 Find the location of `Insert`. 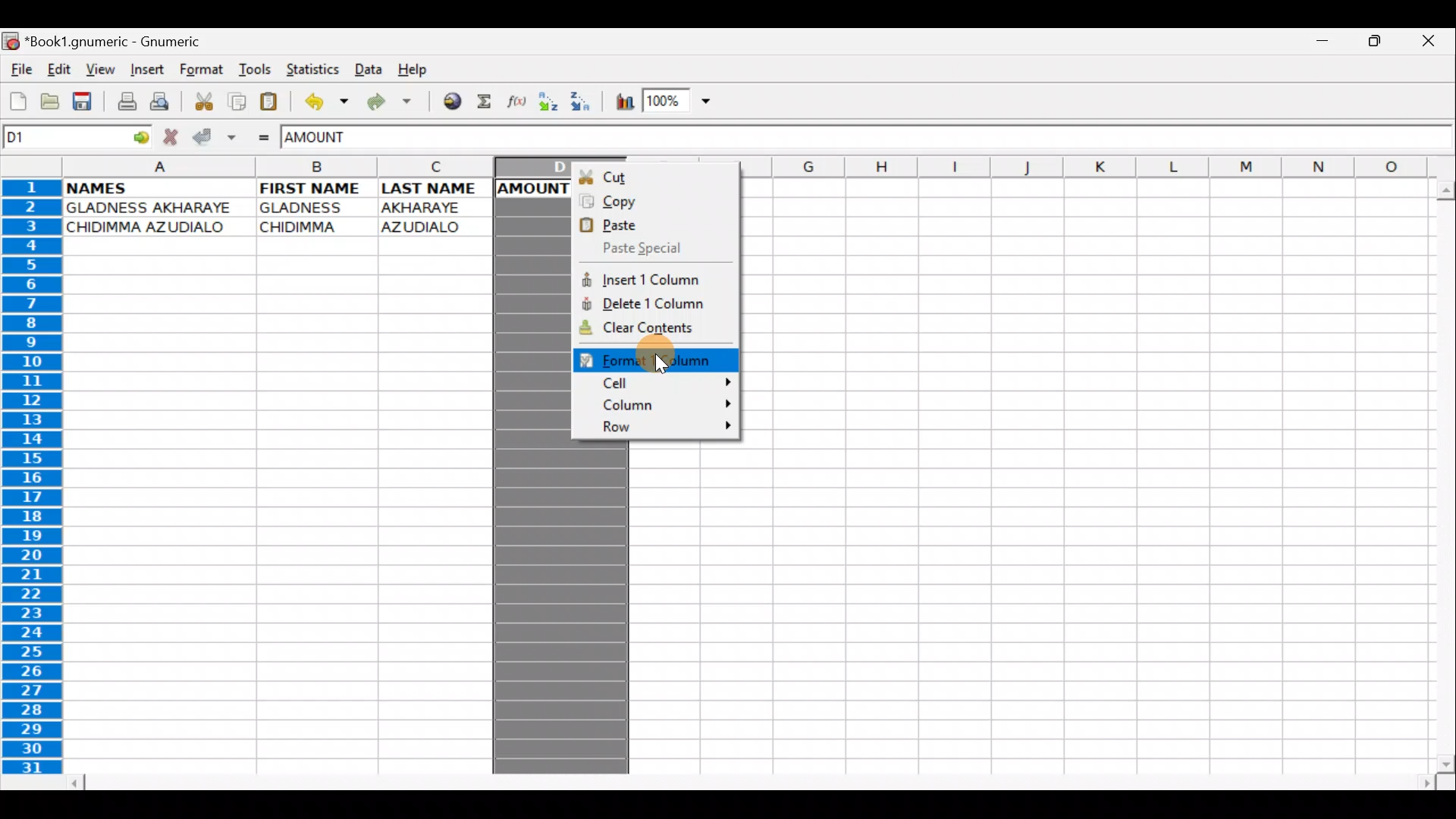

Insert is located at coordinates (146, 72).